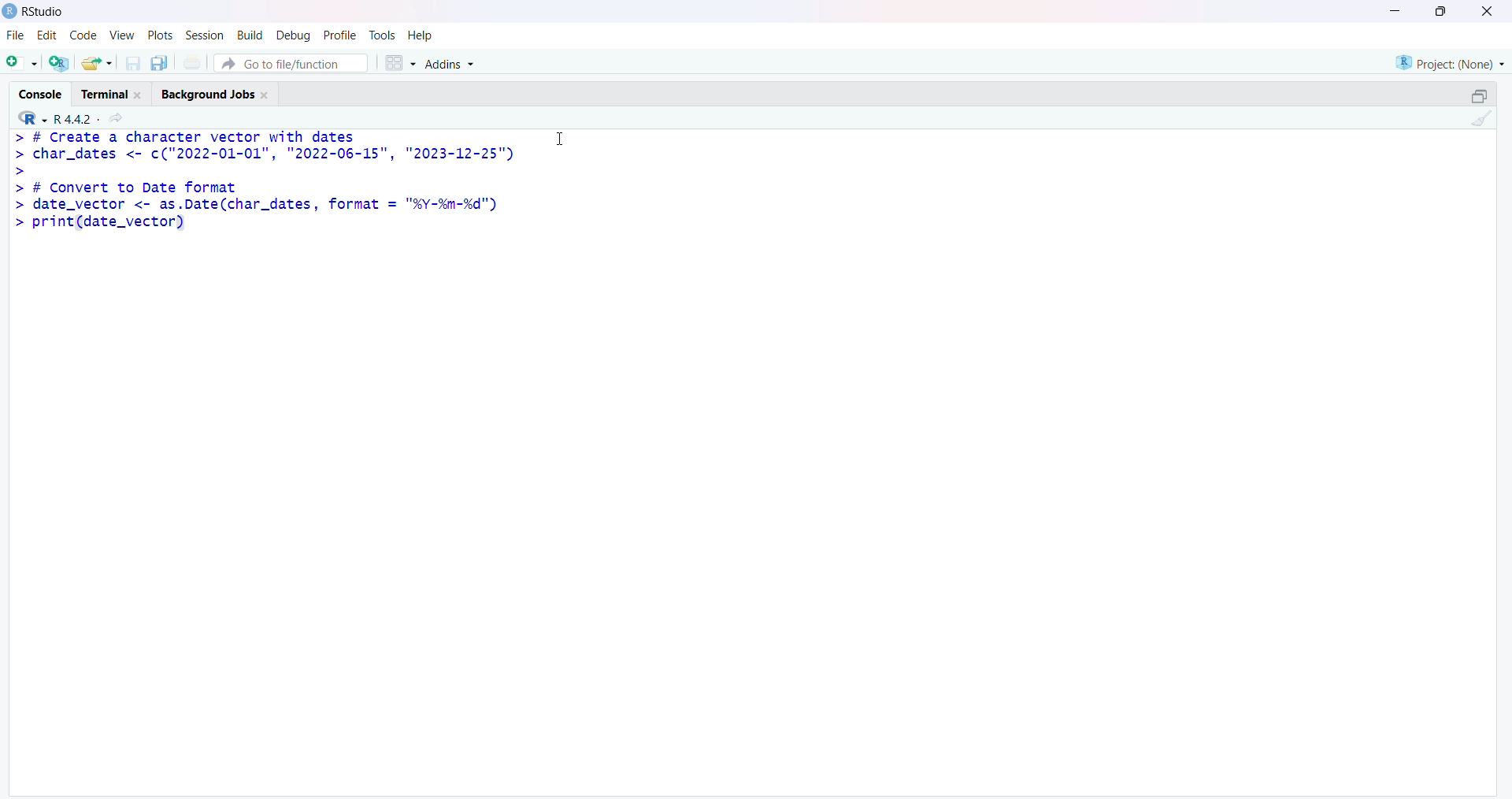 This screenshot has width=1512, height=799. What do you see at coordinates (102, 63) in the screenshot?
I see `Open an existing file (Ctrl + O)` at bounding box center [102, 63].